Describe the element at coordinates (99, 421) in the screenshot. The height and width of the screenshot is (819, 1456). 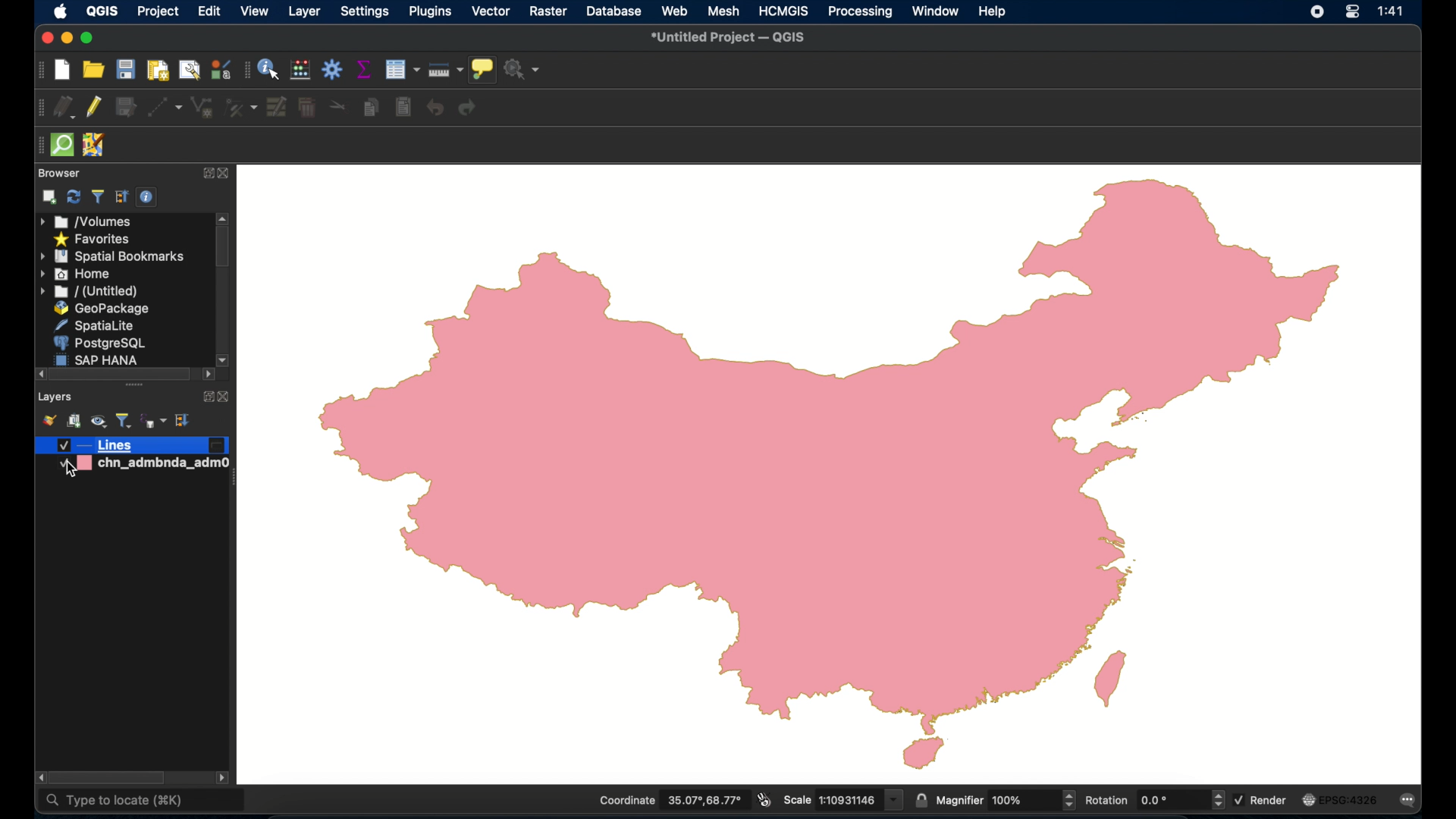
I see `manage map theme` at that location.